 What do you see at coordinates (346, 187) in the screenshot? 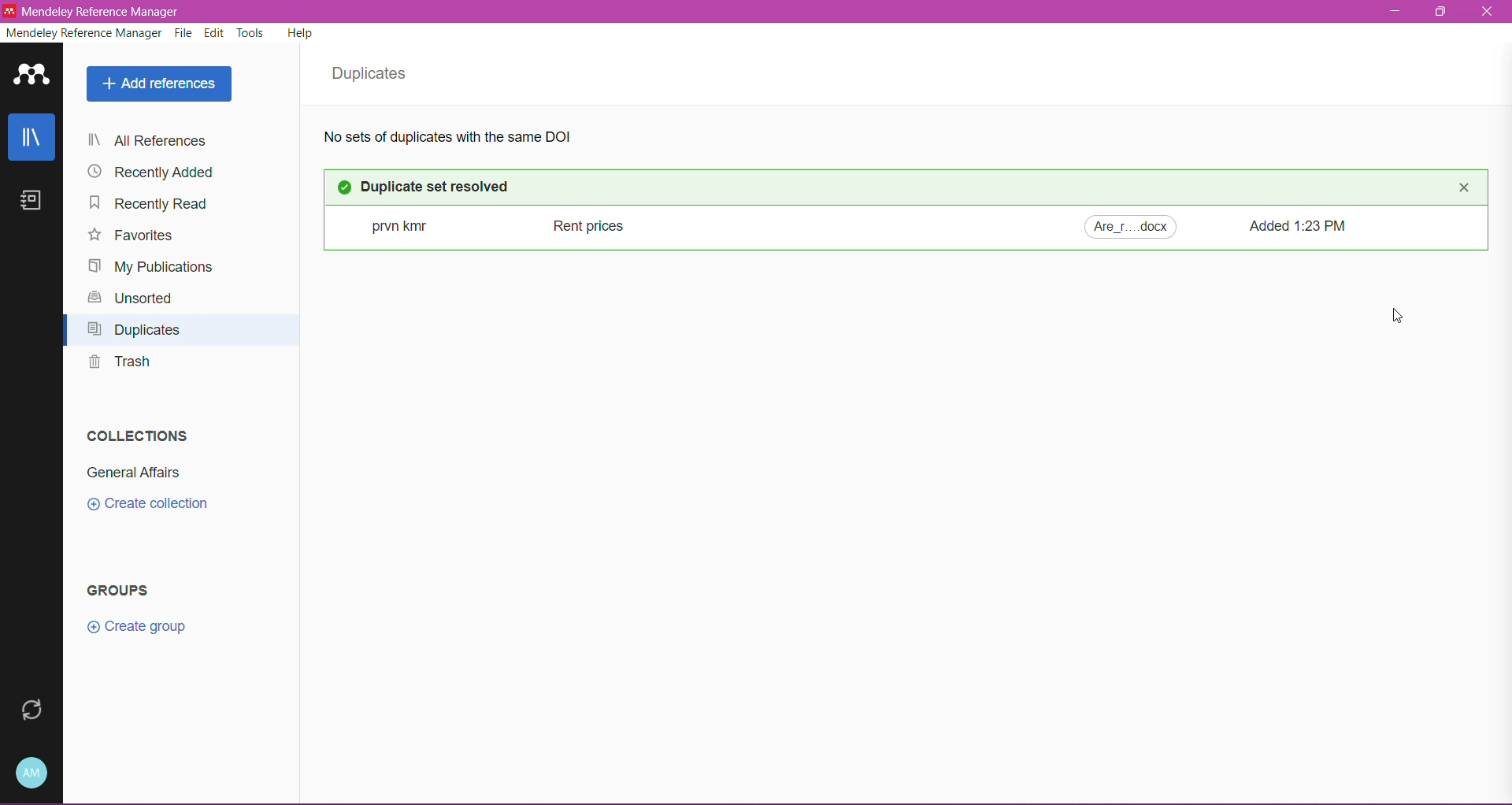
I see `icon` at bounding box center [346, 187].